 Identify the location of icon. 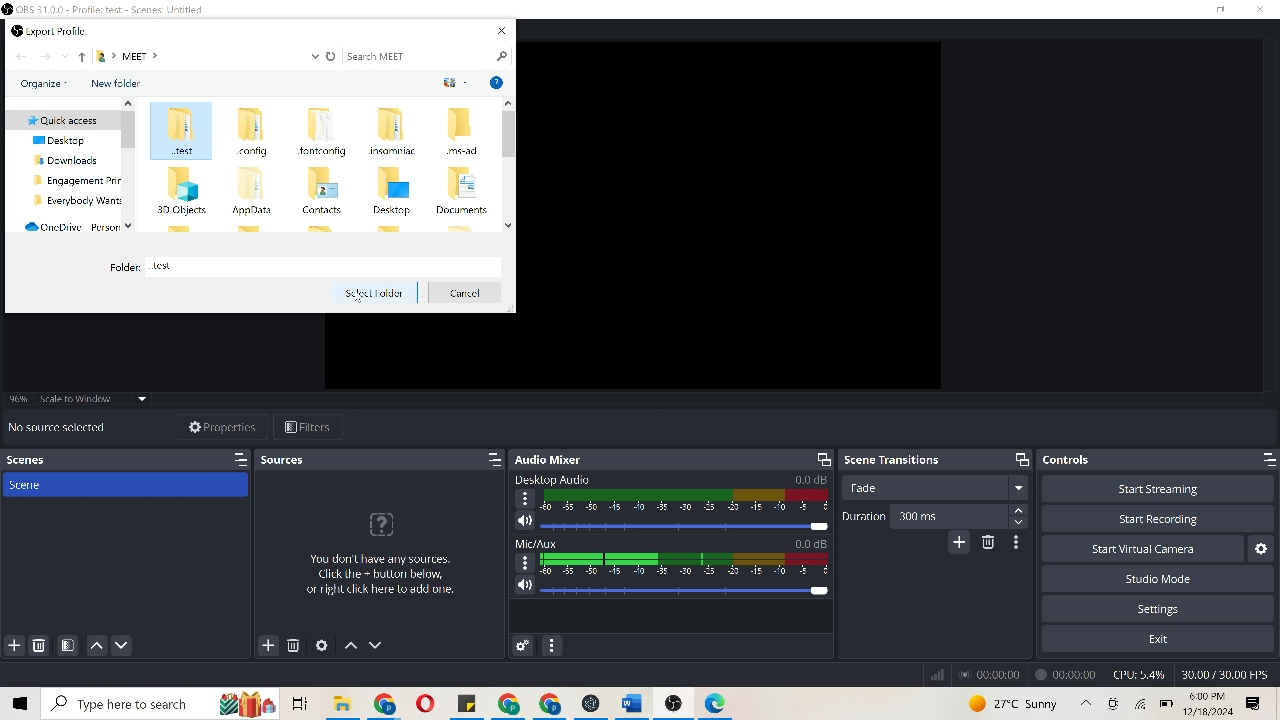
(678, 703).